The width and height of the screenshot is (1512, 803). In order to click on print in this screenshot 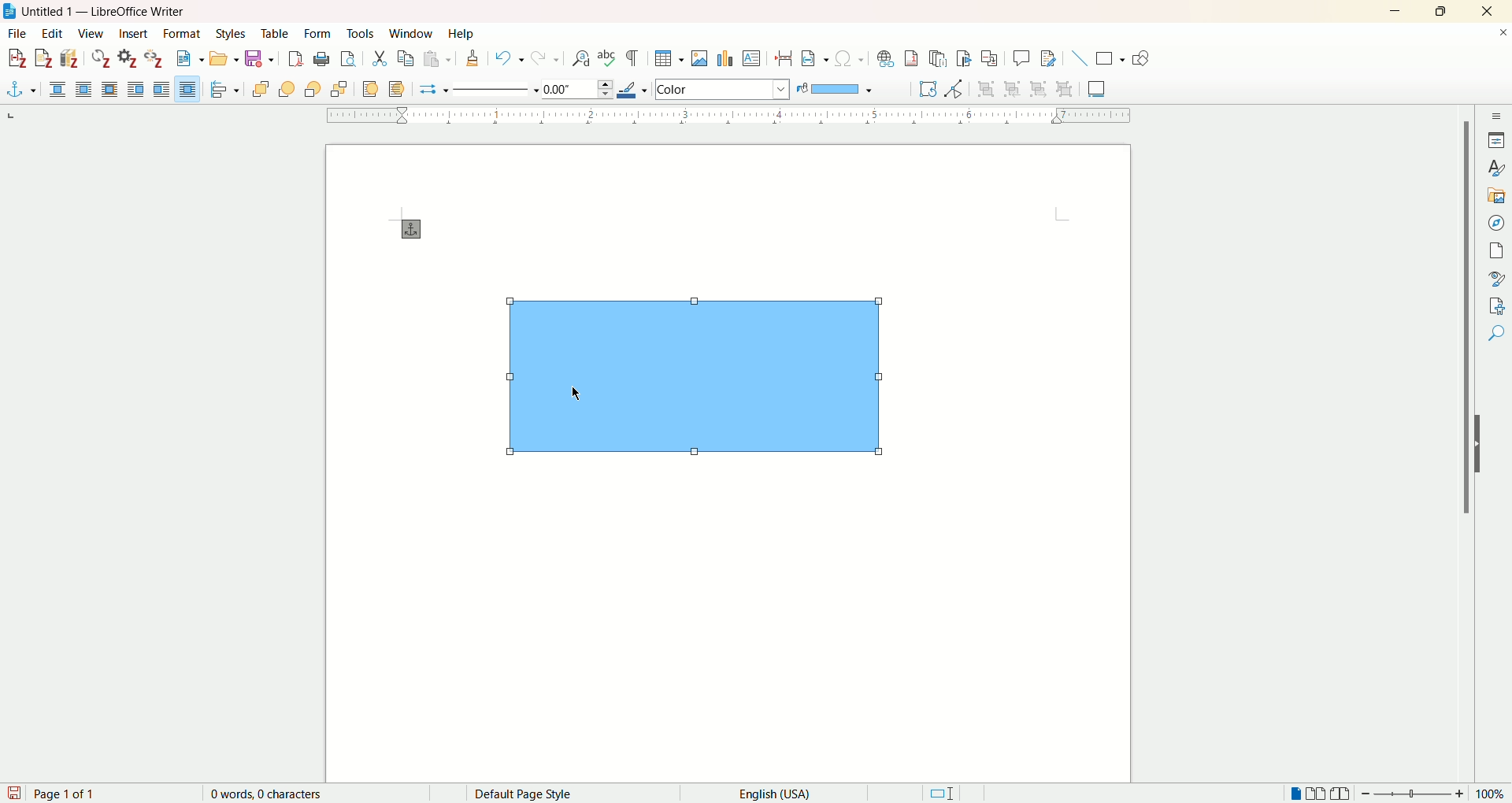, I will do `click(323, 58)`.